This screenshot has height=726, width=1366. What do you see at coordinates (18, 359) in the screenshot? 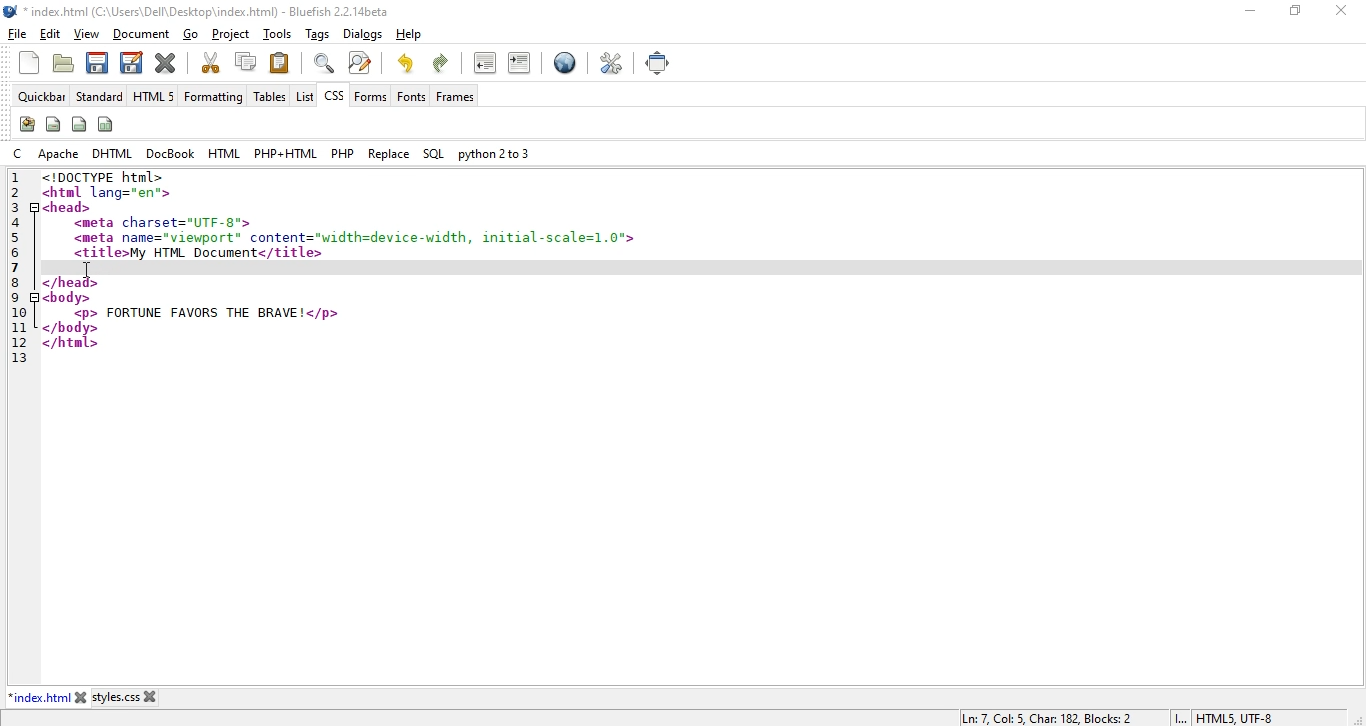
I see `13` at bounding box center [18, 359].